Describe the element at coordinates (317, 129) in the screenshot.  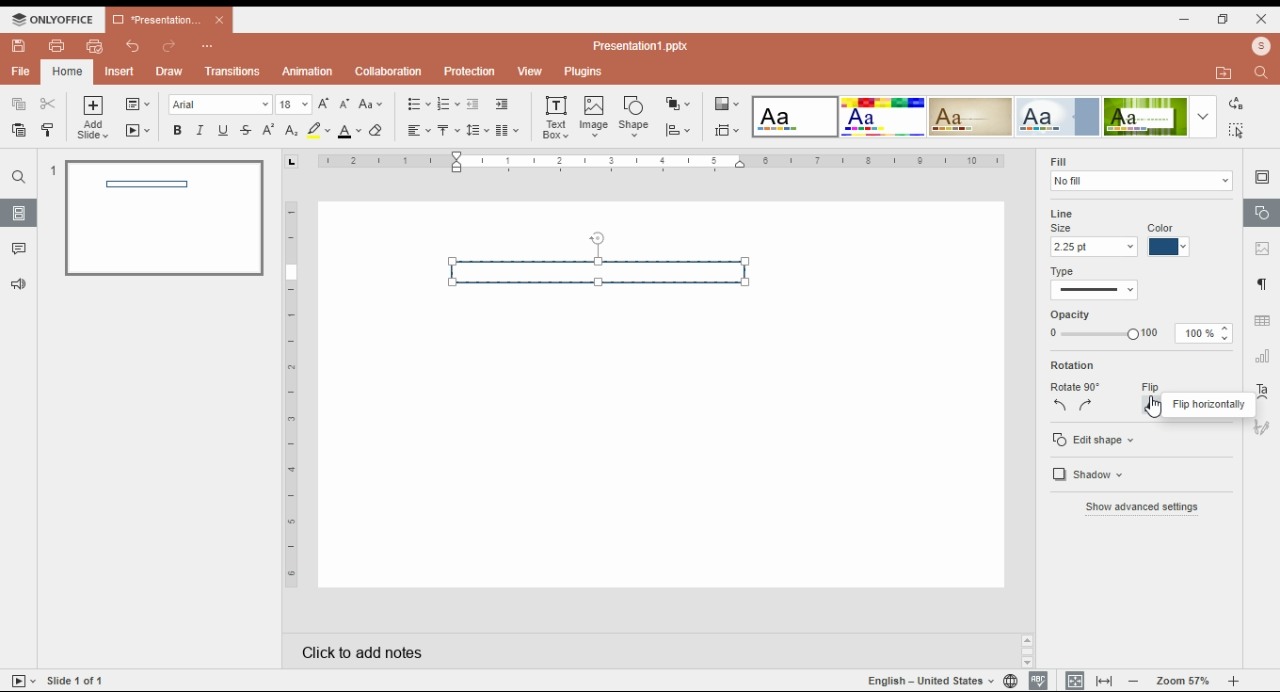
I see `highlight color` at that location.